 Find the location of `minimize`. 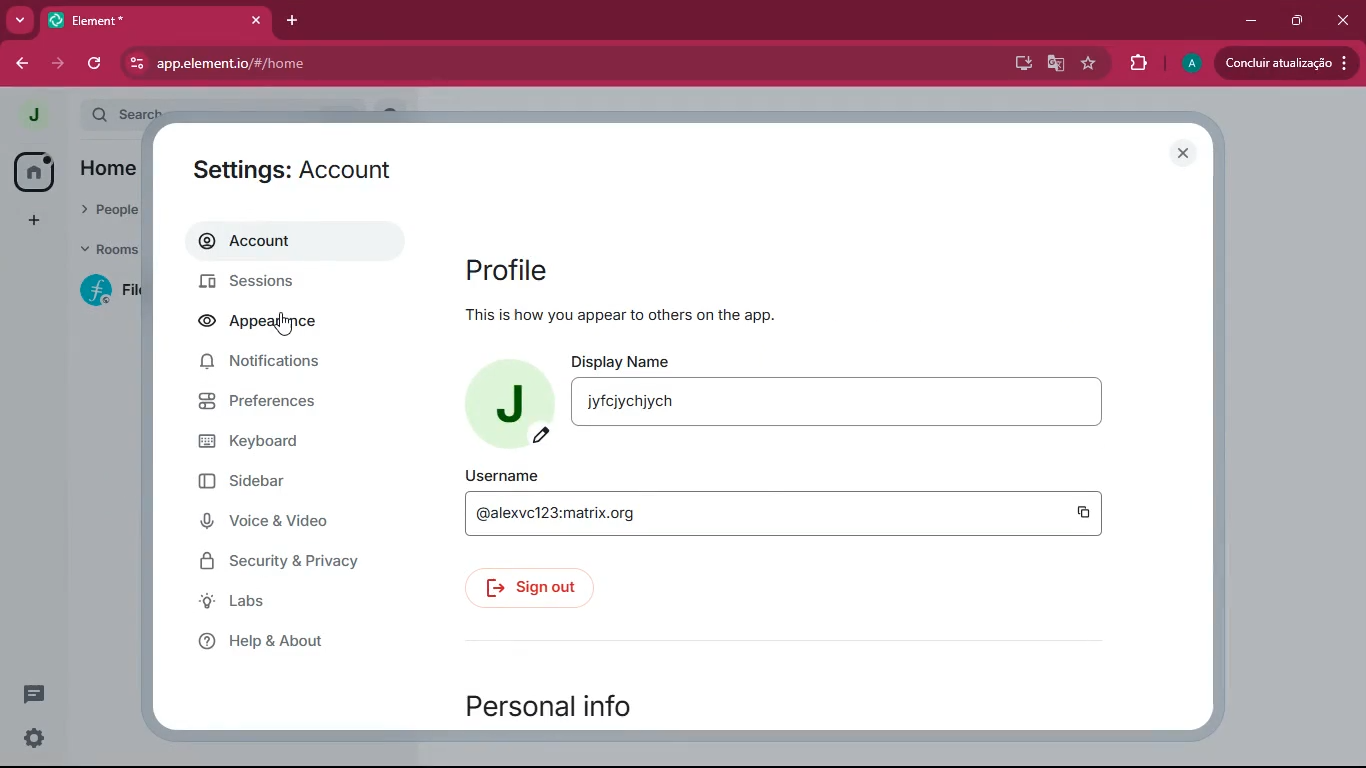

minimize is located at coordinates (1247, 22).